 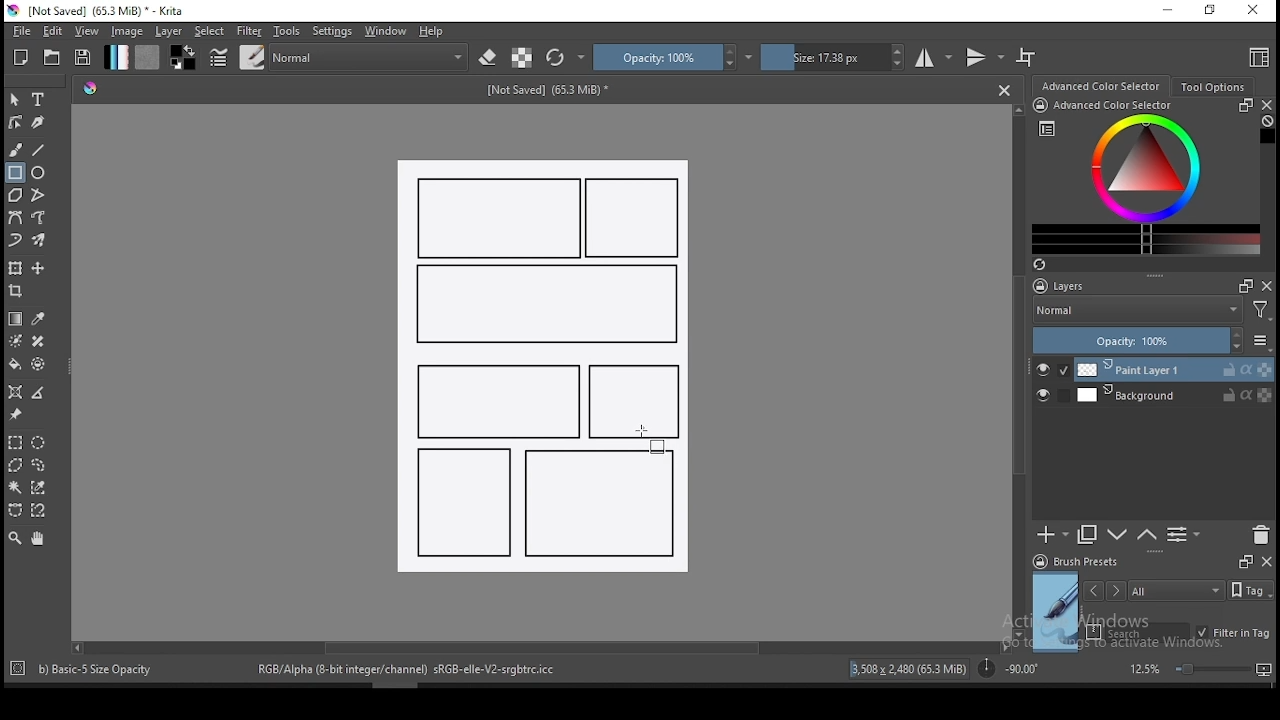 What do you see at coordinates (38, 193) in the screenshot?
I see `polyline tool` at bounding box center [38, 193].